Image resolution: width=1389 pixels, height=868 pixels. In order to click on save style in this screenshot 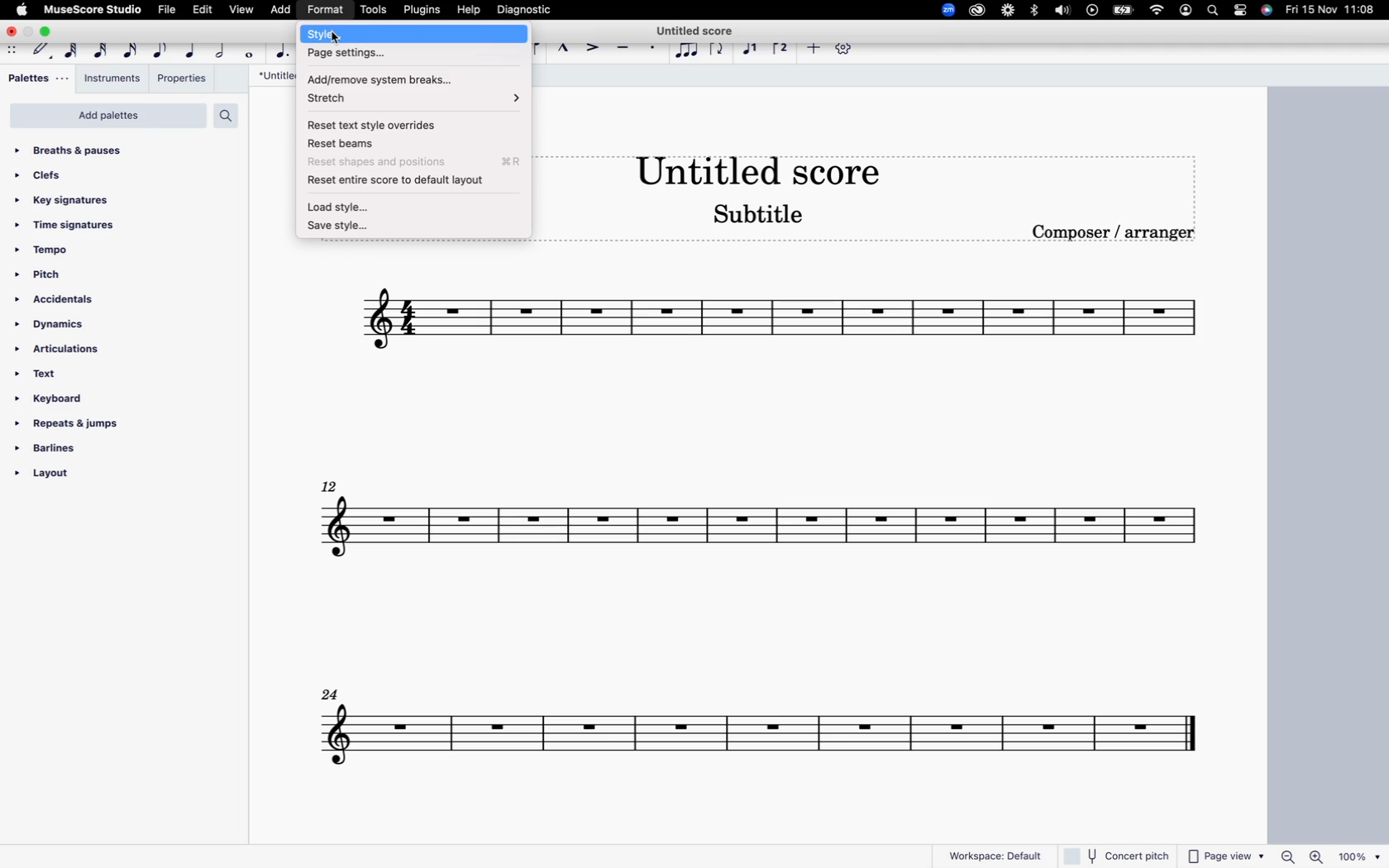, I will do `click(352, 227)`.